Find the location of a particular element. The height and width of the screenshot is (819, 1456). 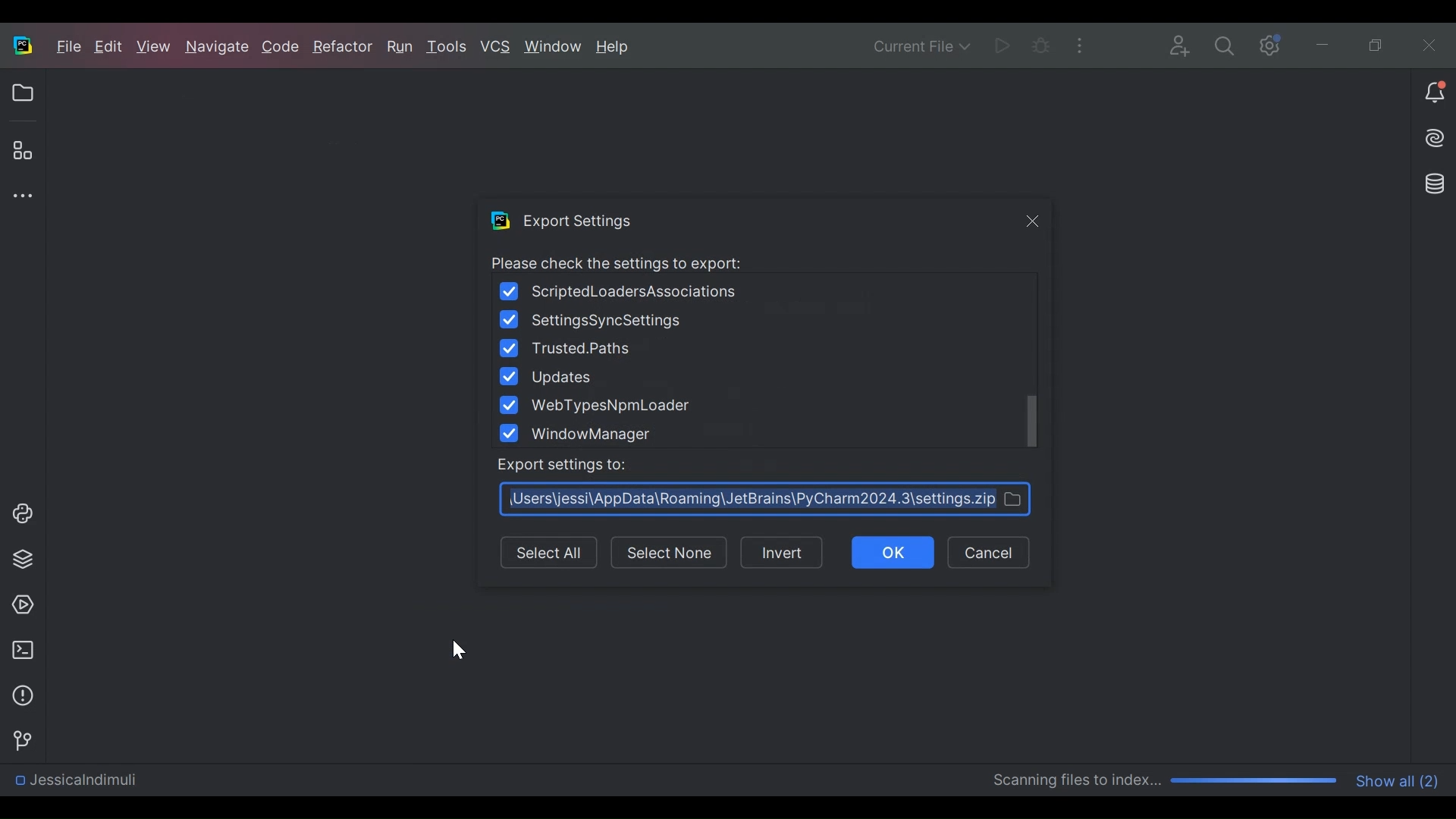

View is located at coordinates (155, 47).